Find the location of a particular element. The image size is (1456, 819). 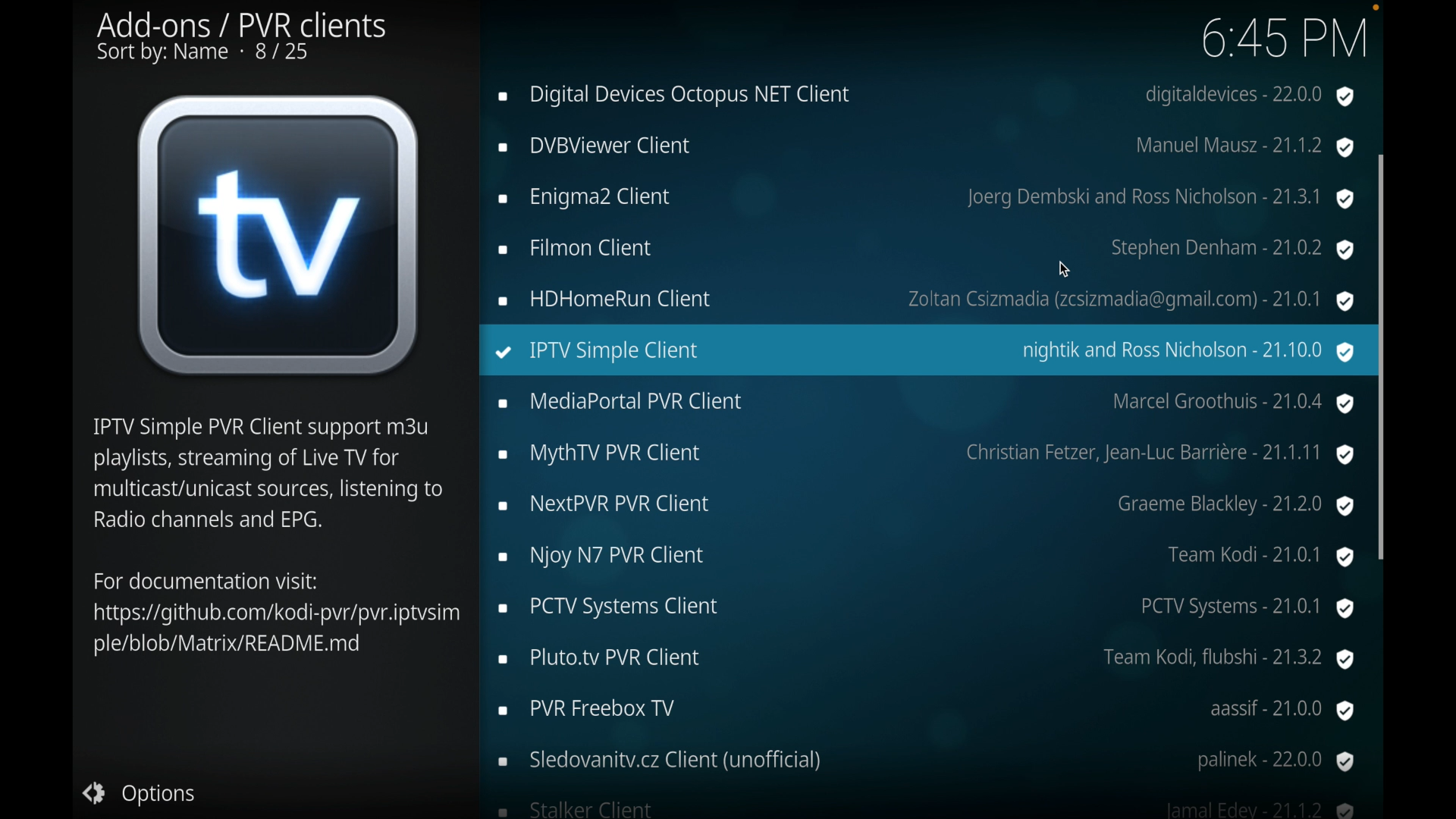

njoy n7 pvr client is located at coordinates (927, 556).